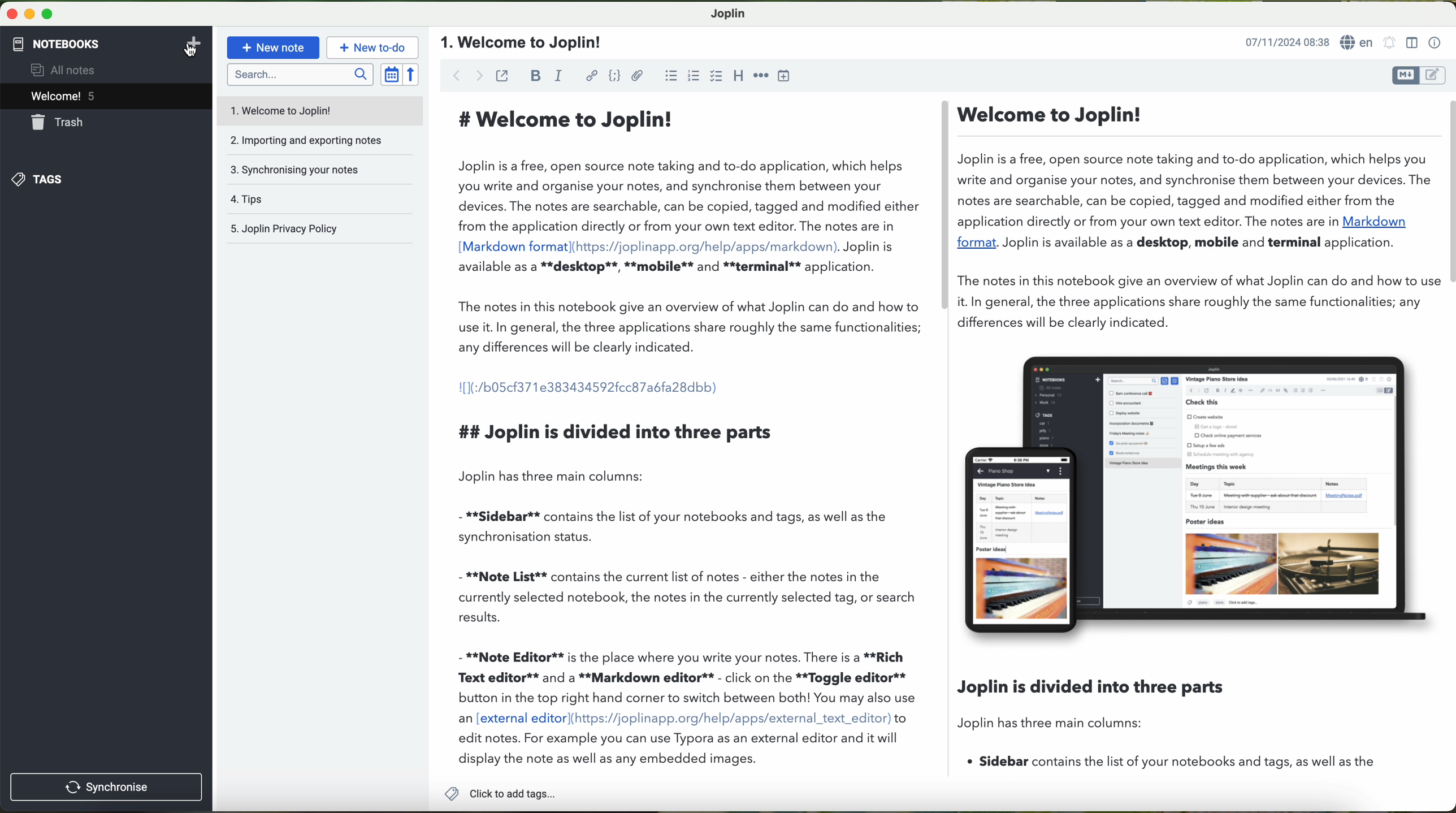 The width and height of the screenshot is (1456, 813). I want to click on bulleted list, so click(671, 76).